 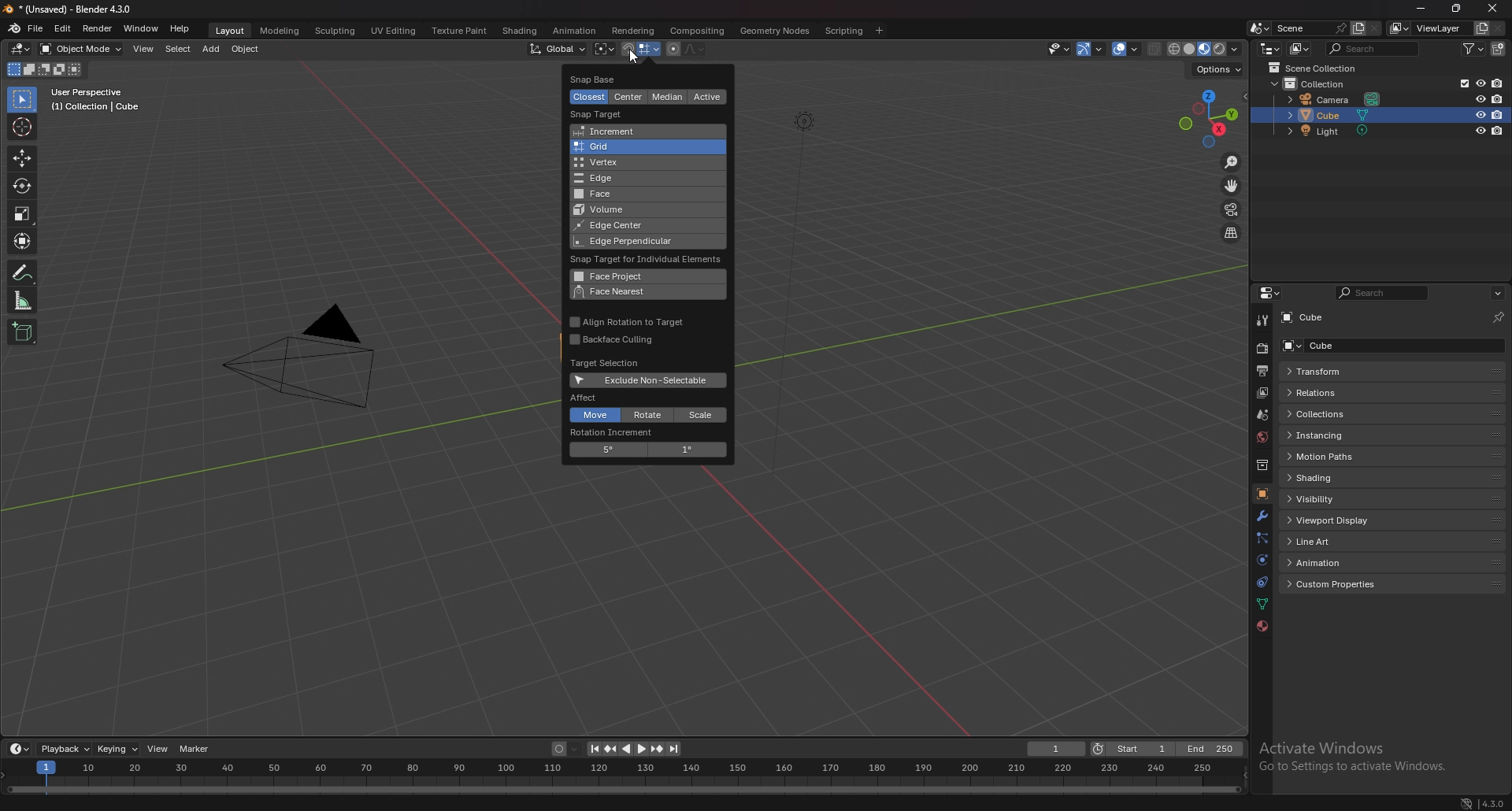 What do you see at coordinates (1262, 516) in the screenshot?
I see `modifier` at bounding box center [1262, 516].